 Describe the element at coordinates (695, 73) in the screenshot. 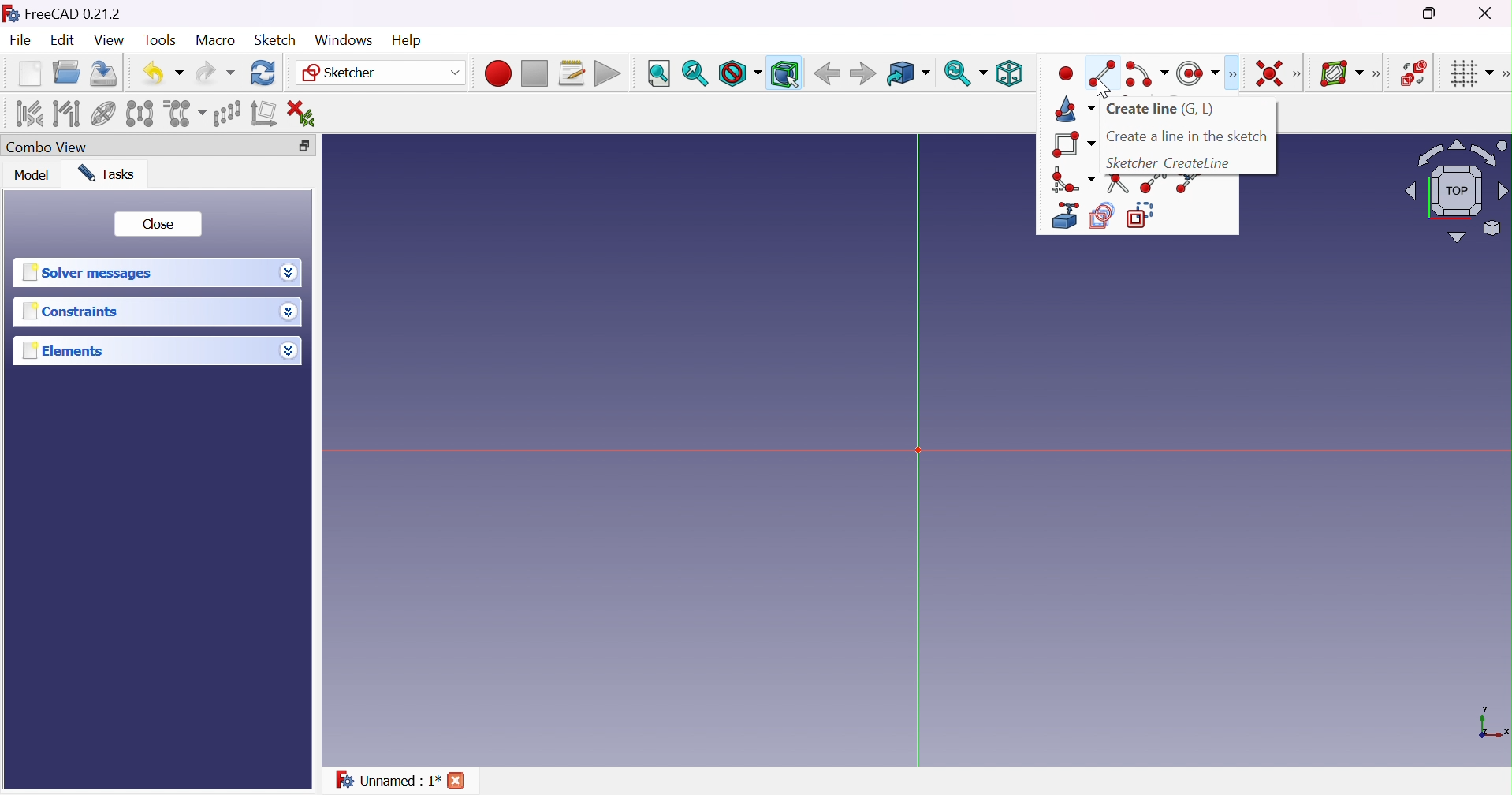

I see `Fit selection` at that location.